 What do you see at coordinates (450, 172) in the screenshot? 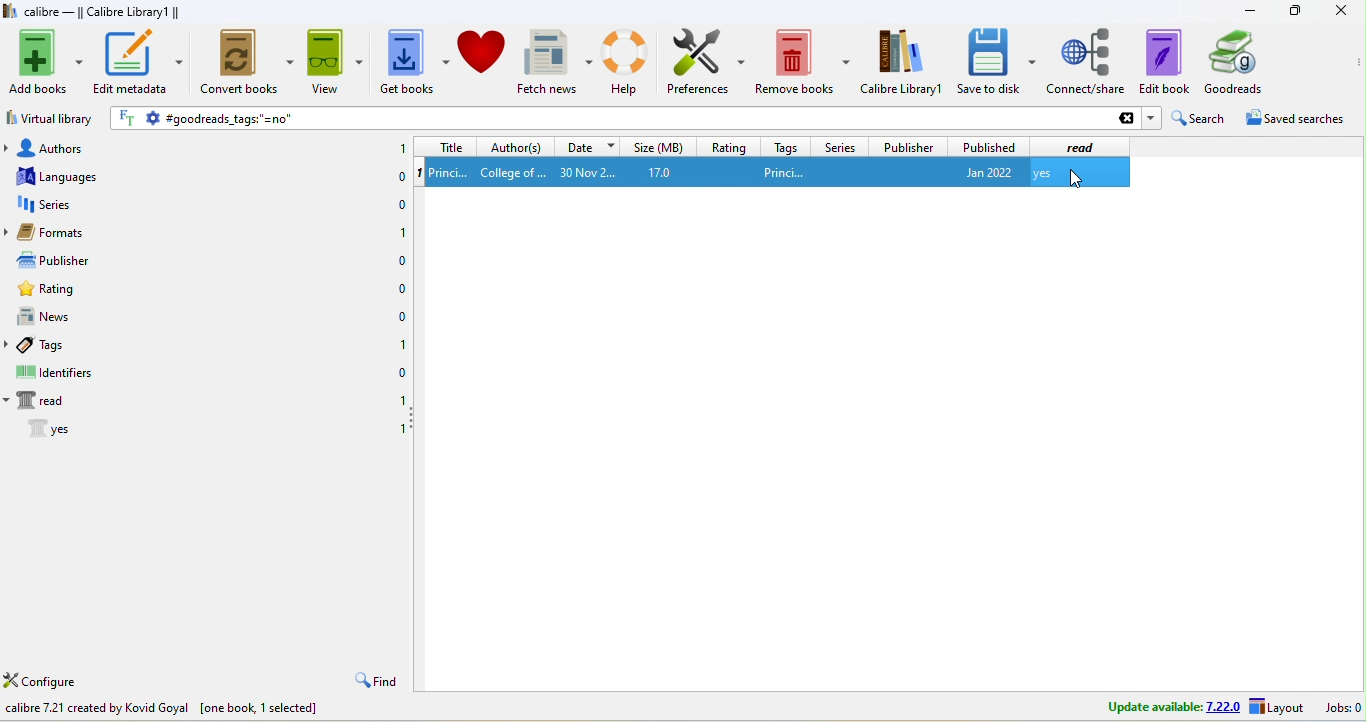
I see `1 princi  ` at bounding box center [450, 172].